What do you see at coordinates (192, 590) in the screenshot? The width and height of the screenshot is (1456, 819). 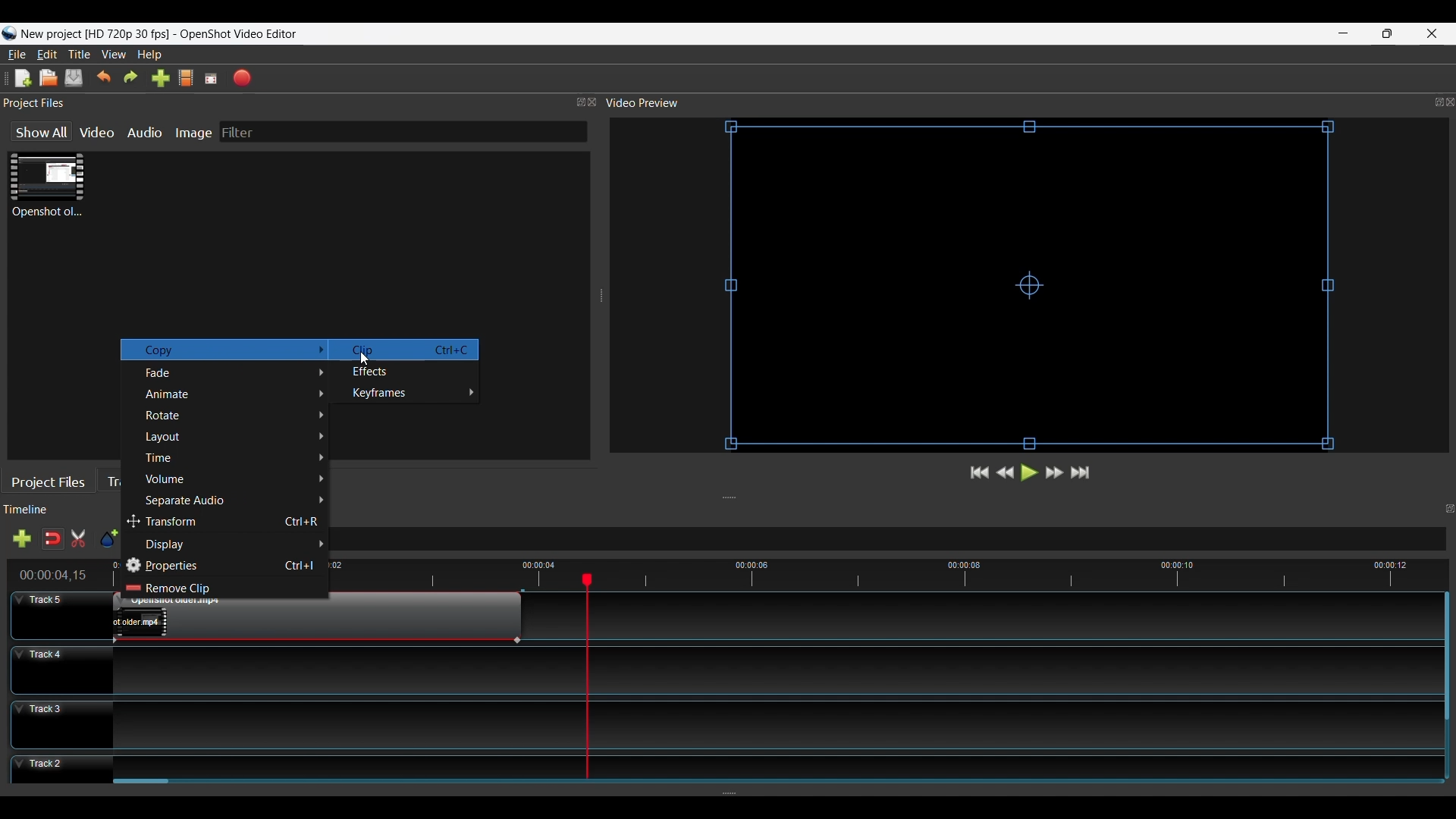 I see `Remove Clip` at bounding box center [192, 590].